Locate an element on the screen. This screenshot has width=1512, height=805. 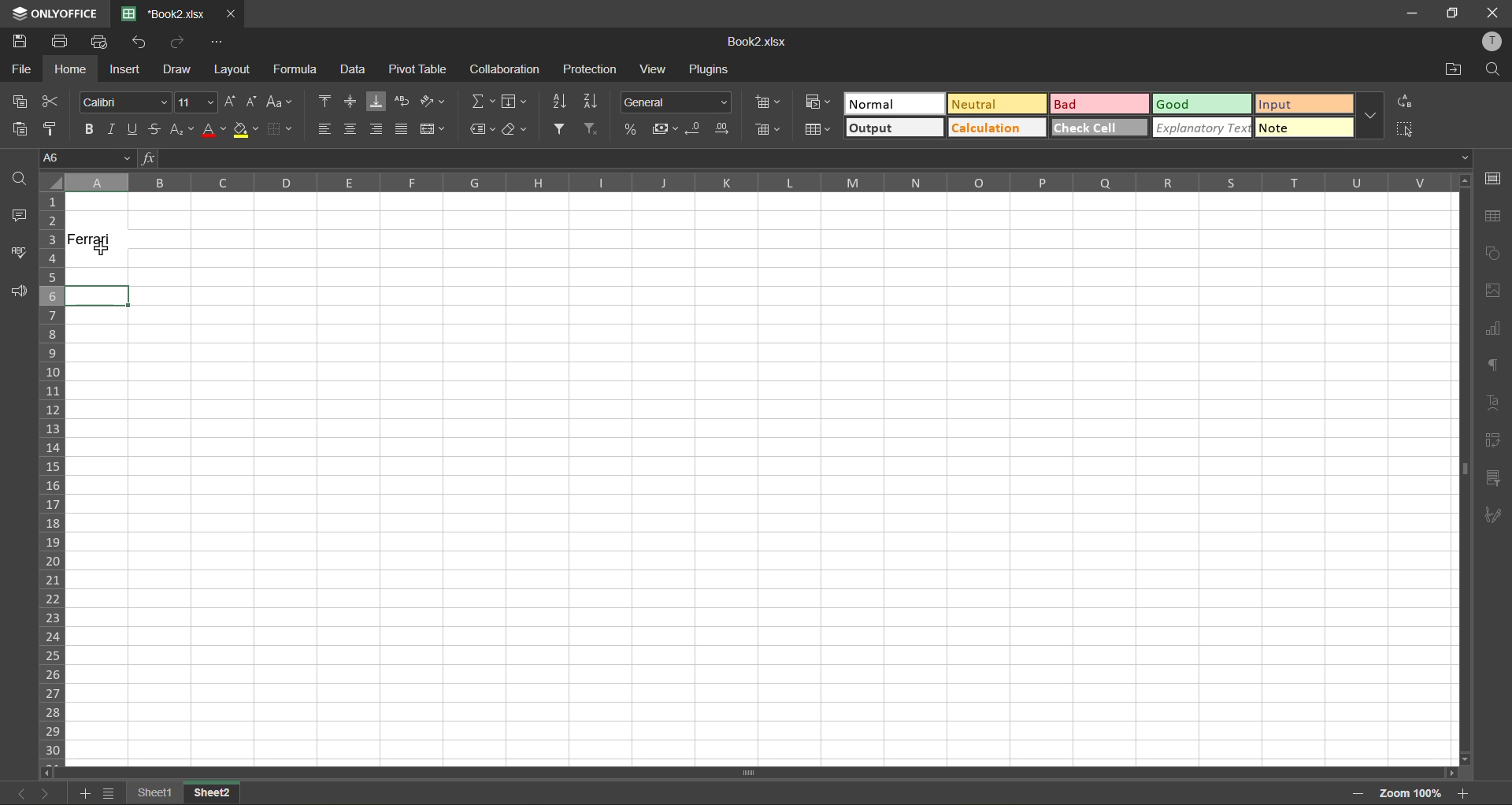
neutral is located at coordinates (996, 103).